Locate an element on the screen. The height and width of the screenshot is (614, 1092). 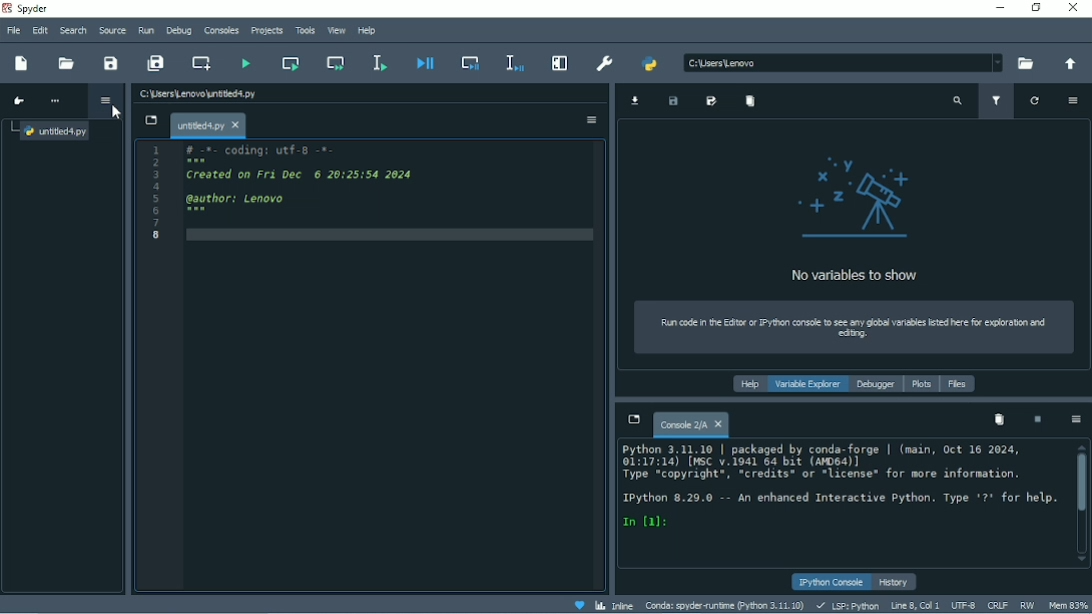
Help spyder is located at coordinates (579, 604).